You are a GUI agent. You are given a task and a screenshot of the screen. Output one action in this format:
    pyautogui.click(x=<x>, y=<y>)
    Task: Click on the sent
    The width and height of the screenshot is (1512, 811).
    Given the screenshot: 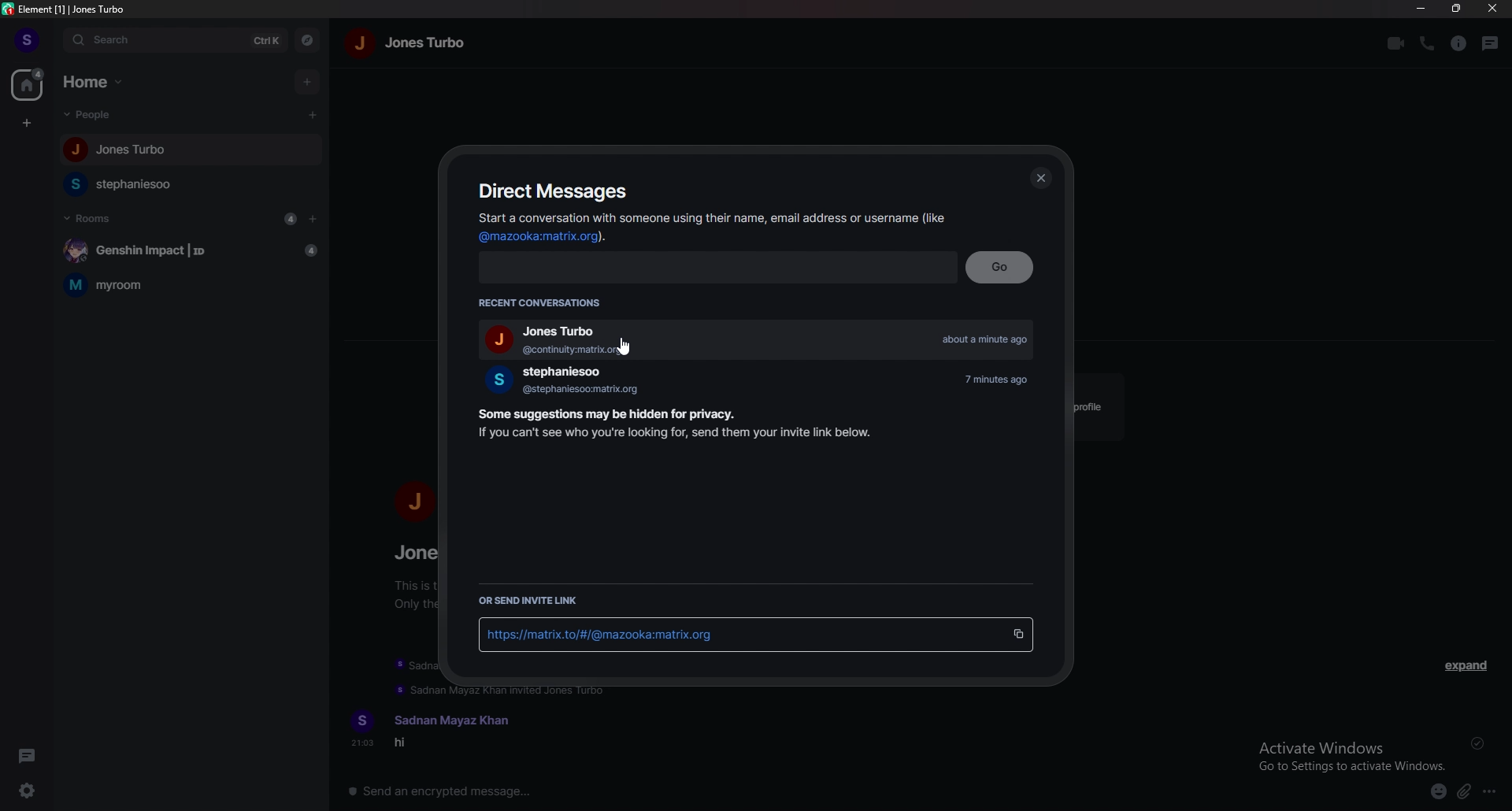 What is the action you would take?
    pyautogui.click(x=1476, y=744)
    